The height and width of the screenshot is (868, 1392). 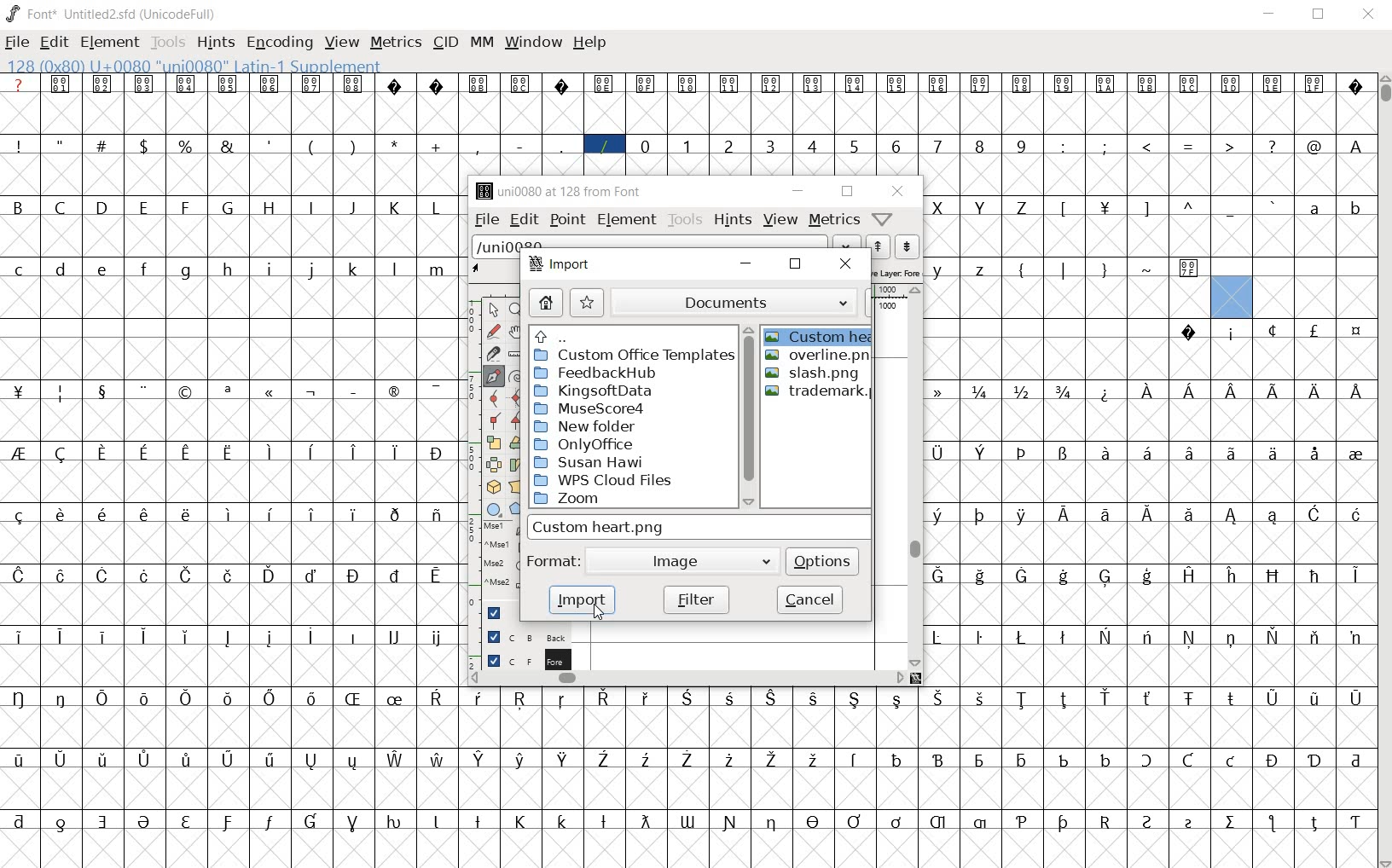 What do you see at coordinates (270, 208) in the screenshot?
I see `glyph` at bounding box center [270, 208].